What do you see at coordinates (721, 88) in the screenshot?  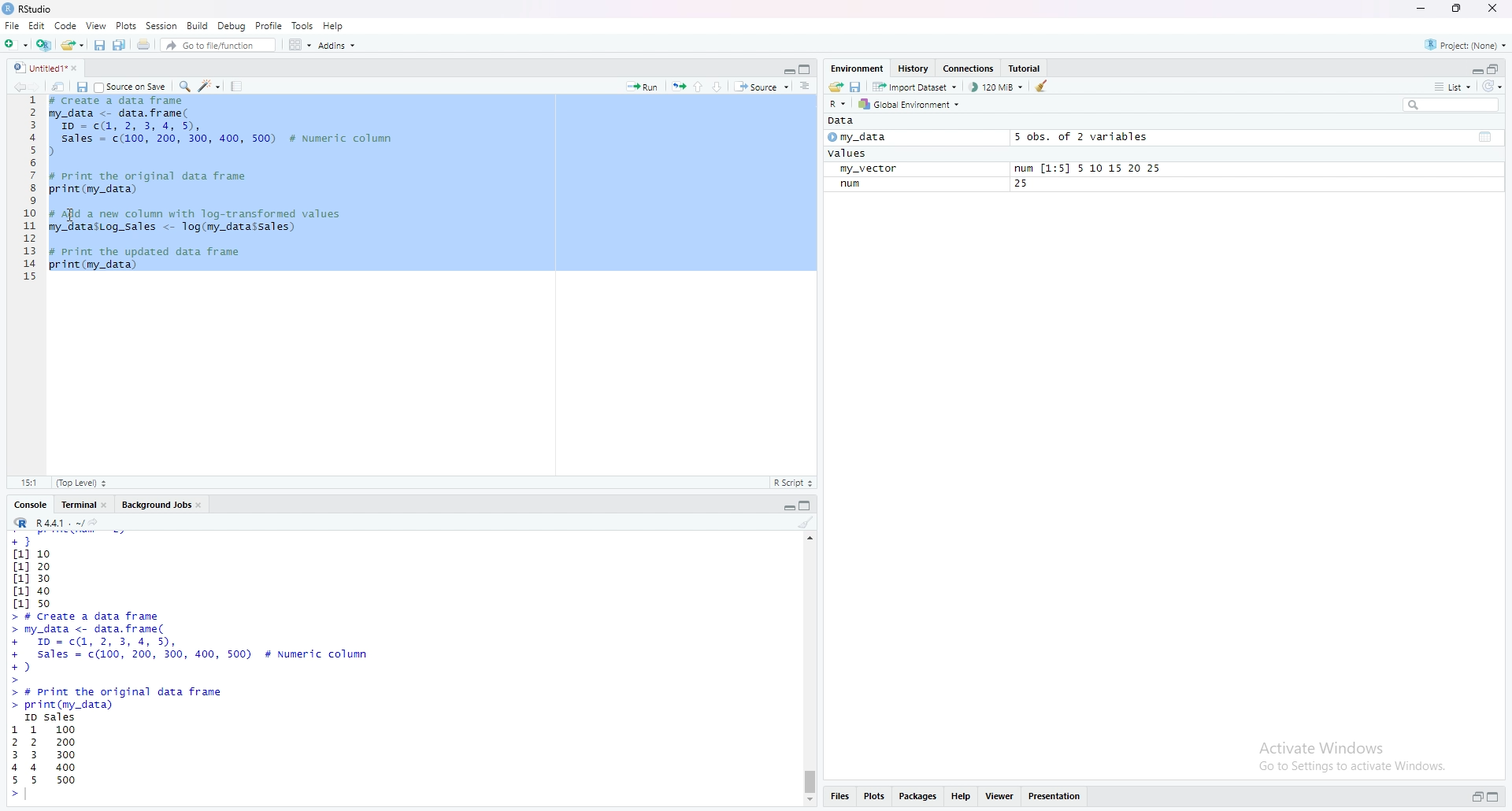 I see `go to next section/chunk` at bounding box center [721, 88].